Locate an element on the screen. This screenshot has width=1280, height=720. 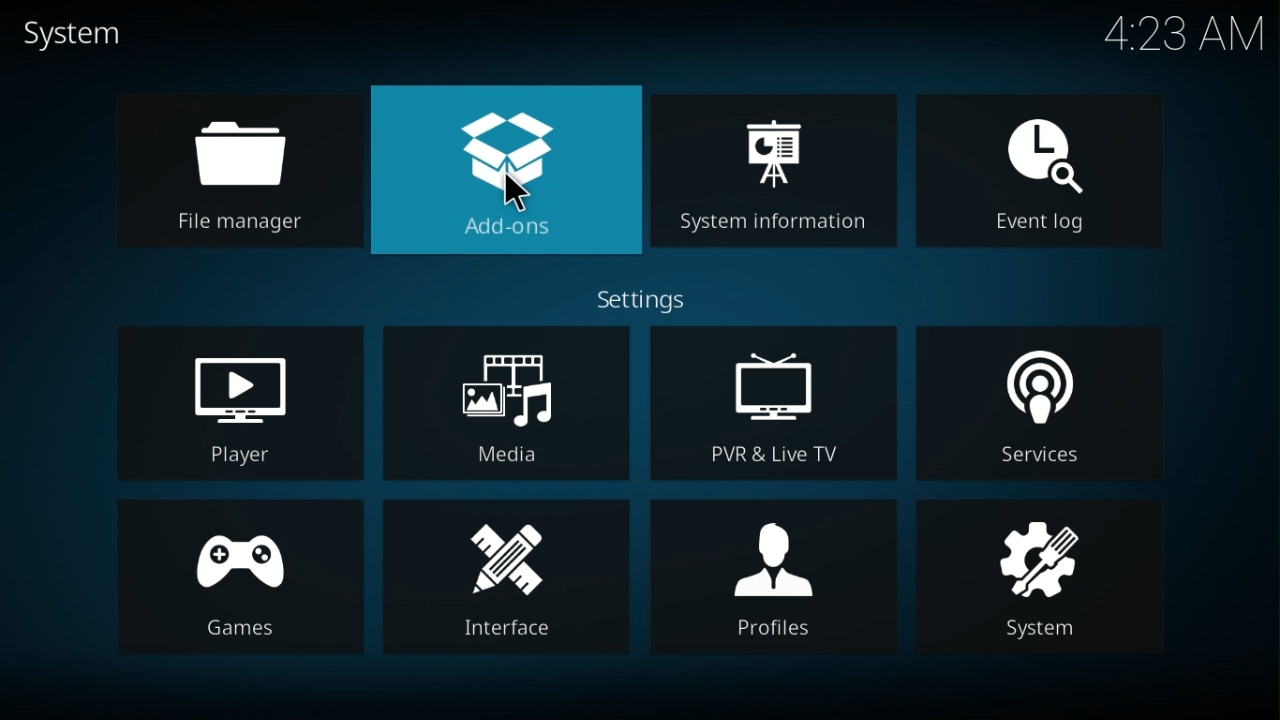
adons is located at coordinates (507, 171).